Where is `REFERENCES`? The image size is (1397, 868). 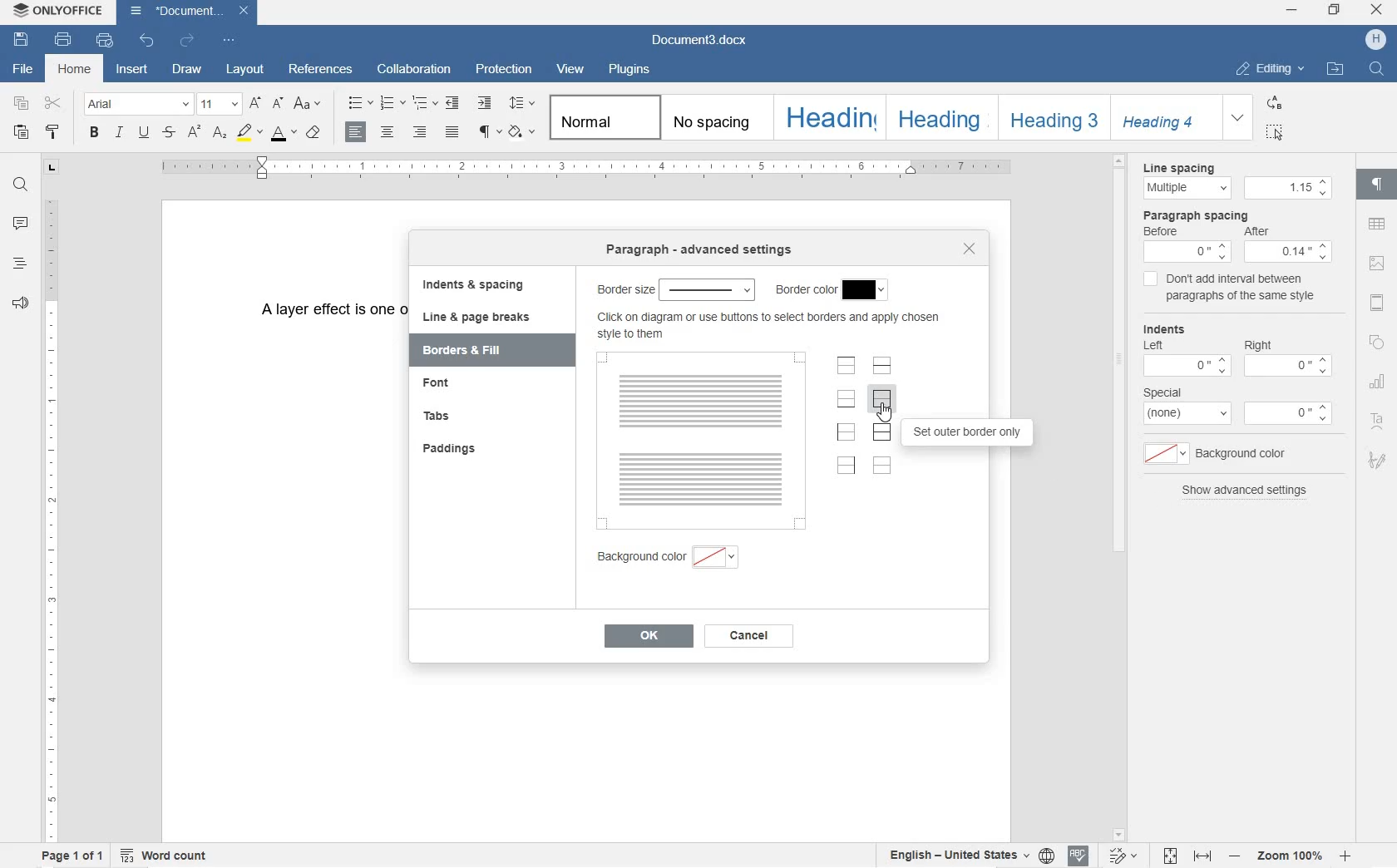 REFERENCES is located at coordinates (321, 70).